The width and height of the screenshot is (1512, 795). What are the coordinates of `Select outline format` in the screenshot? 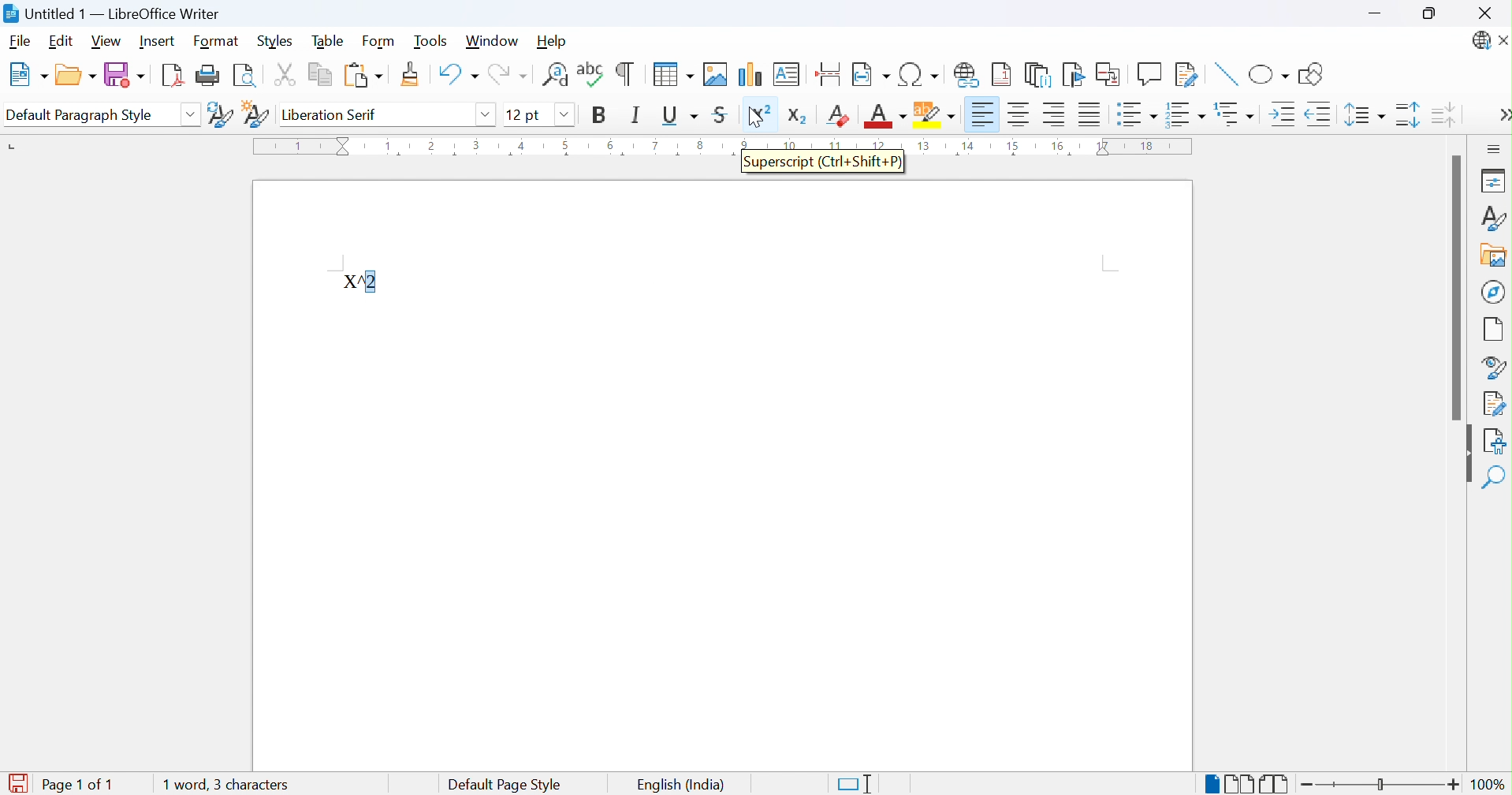 It's located at (1234, 112).